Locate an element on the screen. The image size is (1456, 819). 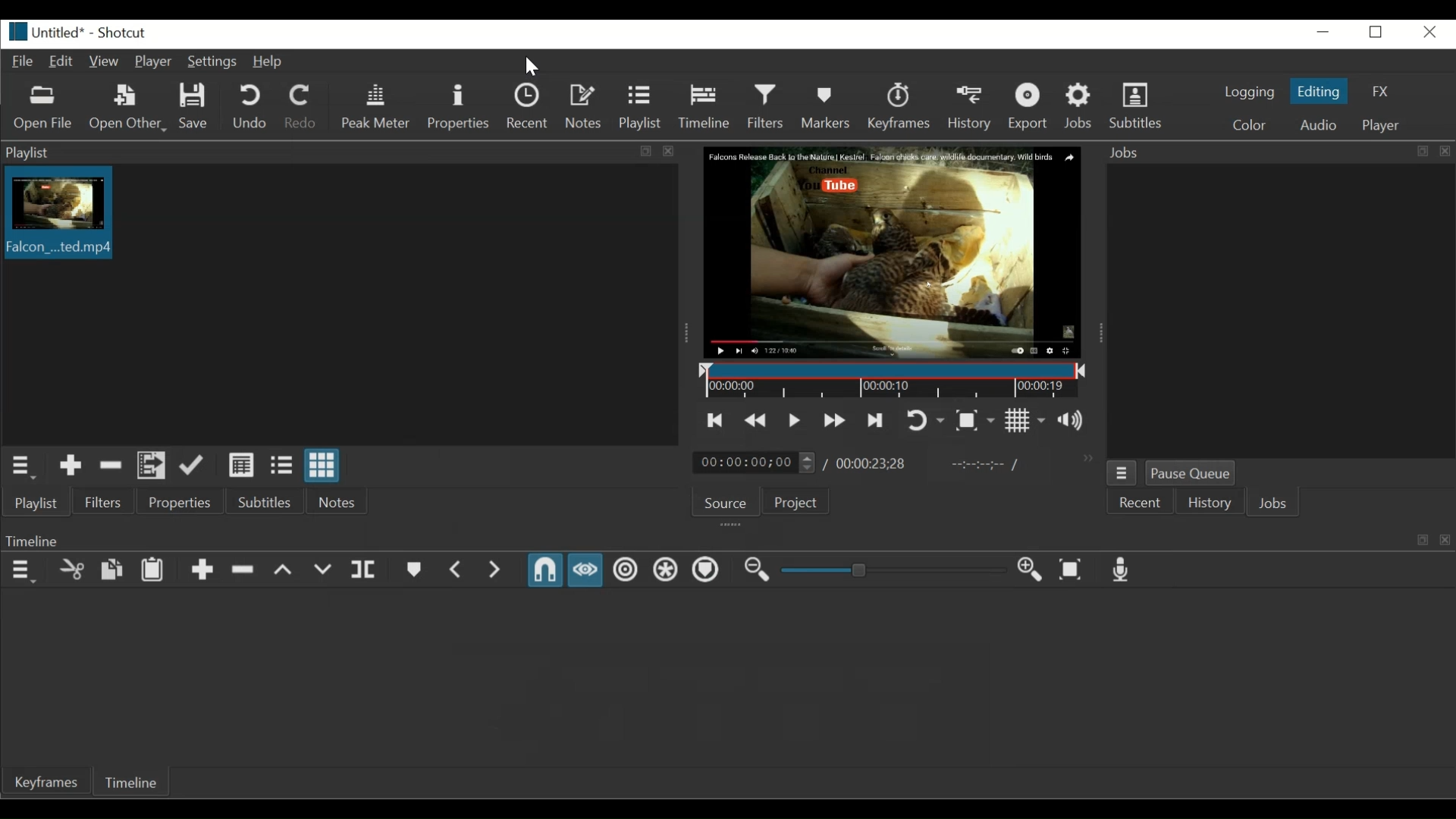
00:00:00:00(Current Position) is located at coordinates (756, 461).